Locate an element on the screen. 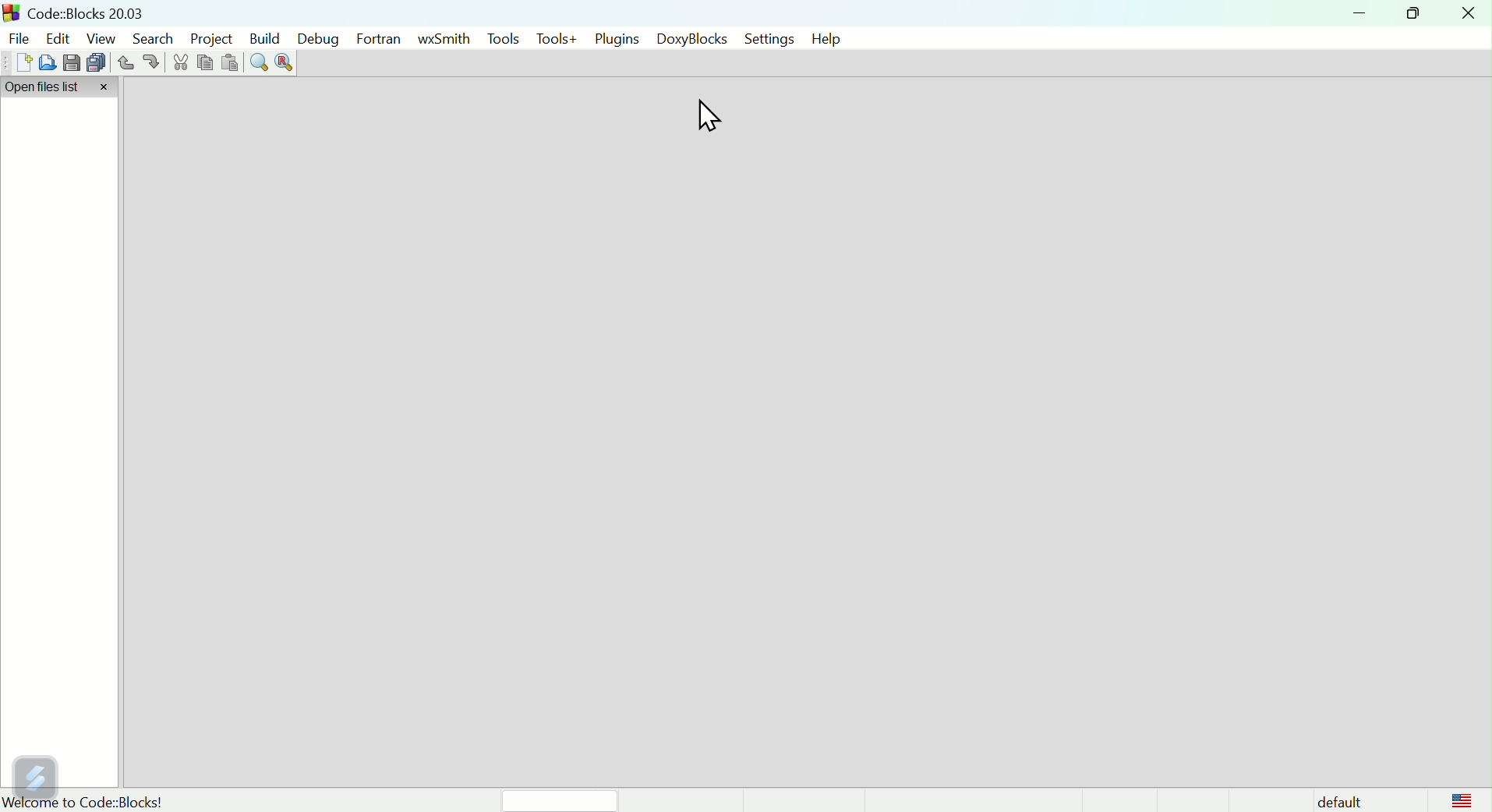 The image size is (1492, 812). Undo is located at coordinates (125, 63).